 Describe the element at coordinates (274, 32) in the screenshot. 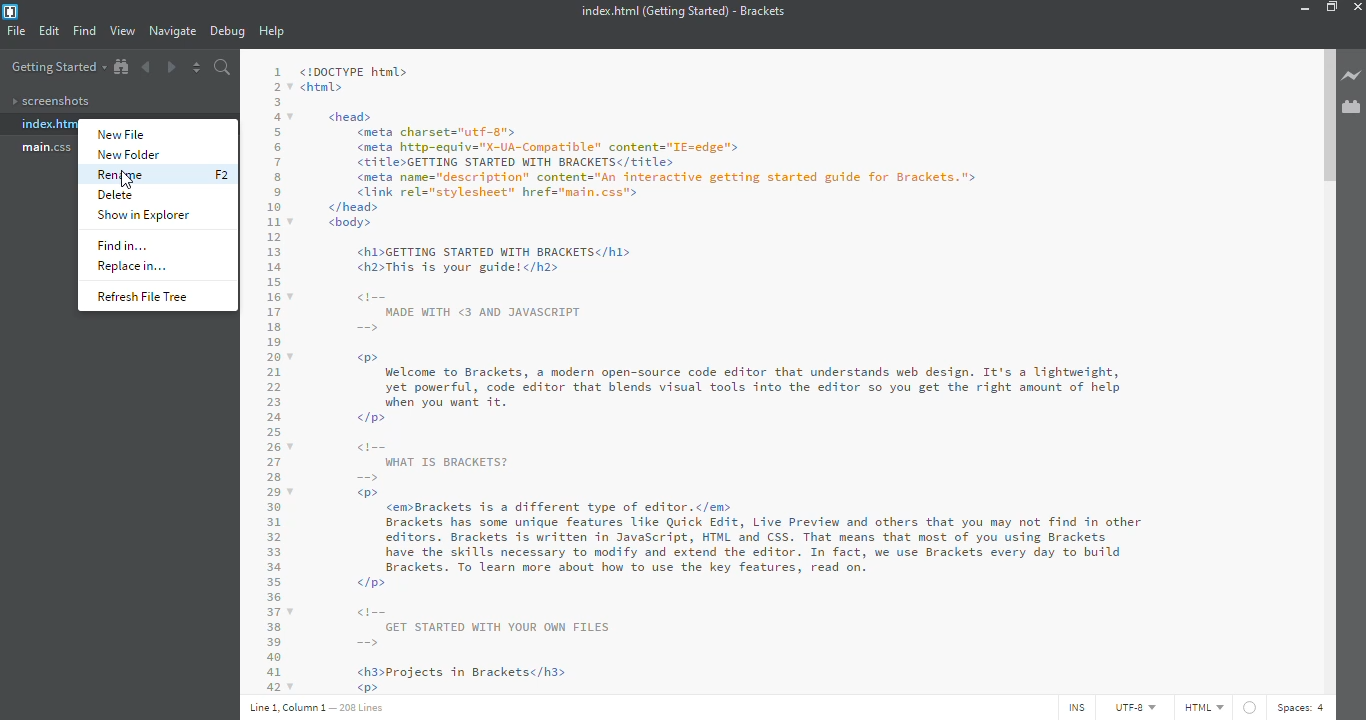

I see `help` at that location.